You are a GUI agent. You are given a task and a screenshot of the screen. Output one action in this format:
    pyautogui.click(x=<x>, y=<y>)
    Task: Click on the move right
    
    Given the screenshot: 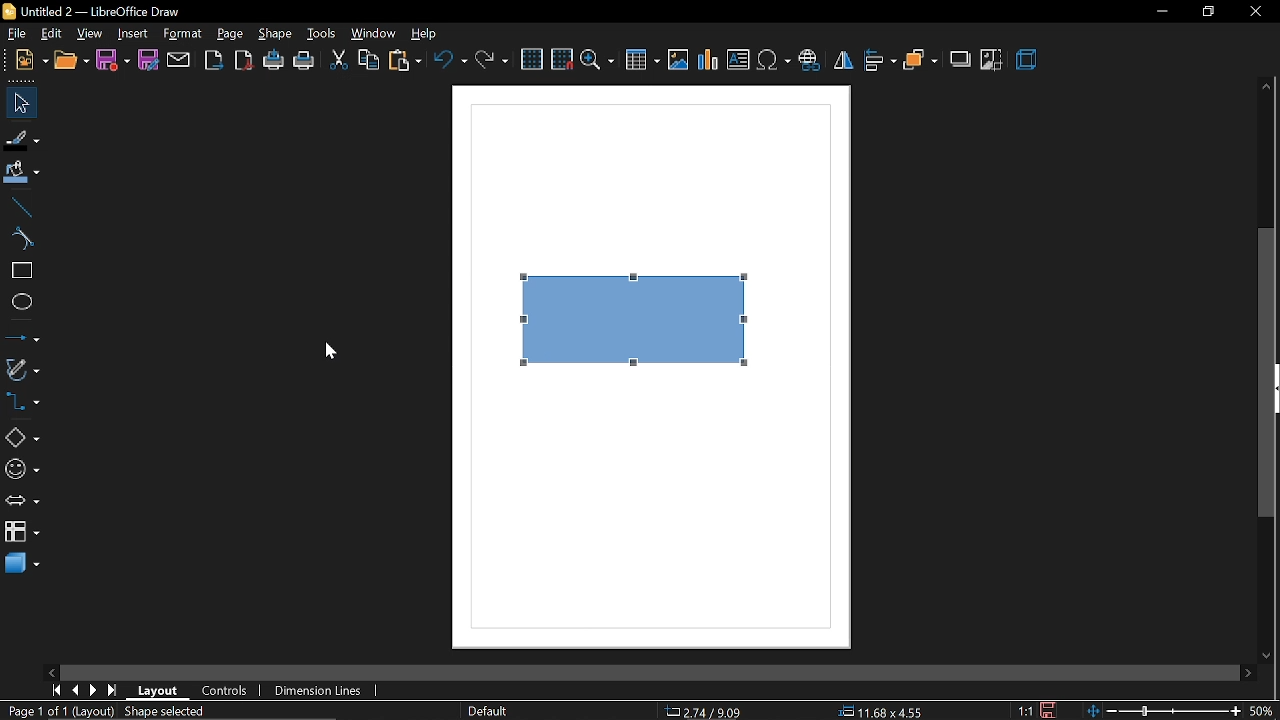 What is the action you would take?
    pyautogui.click(x=1246, y=672)
    